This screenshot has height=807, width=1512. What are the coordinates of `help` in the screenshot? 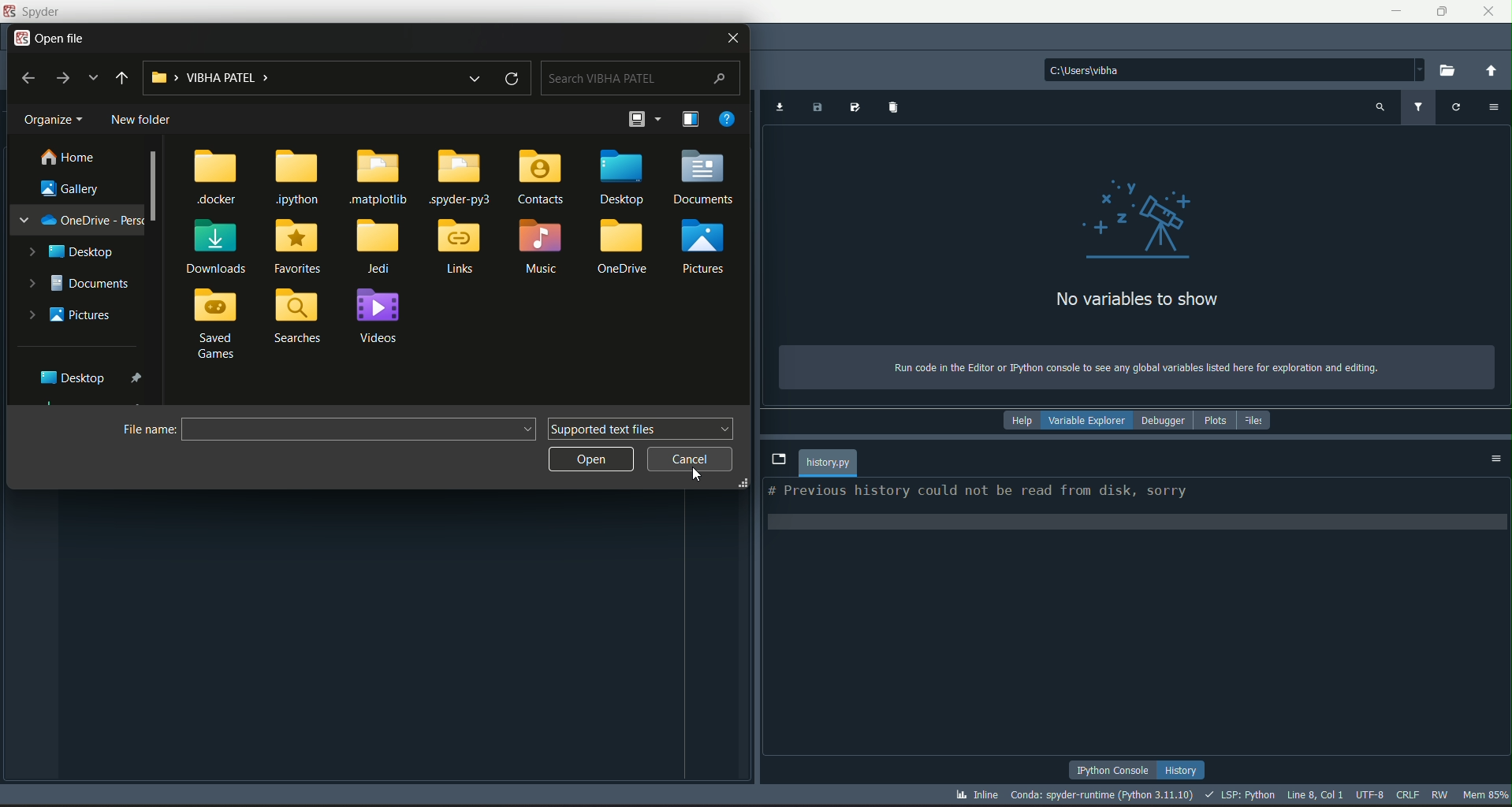 It's located at (1019, 421).